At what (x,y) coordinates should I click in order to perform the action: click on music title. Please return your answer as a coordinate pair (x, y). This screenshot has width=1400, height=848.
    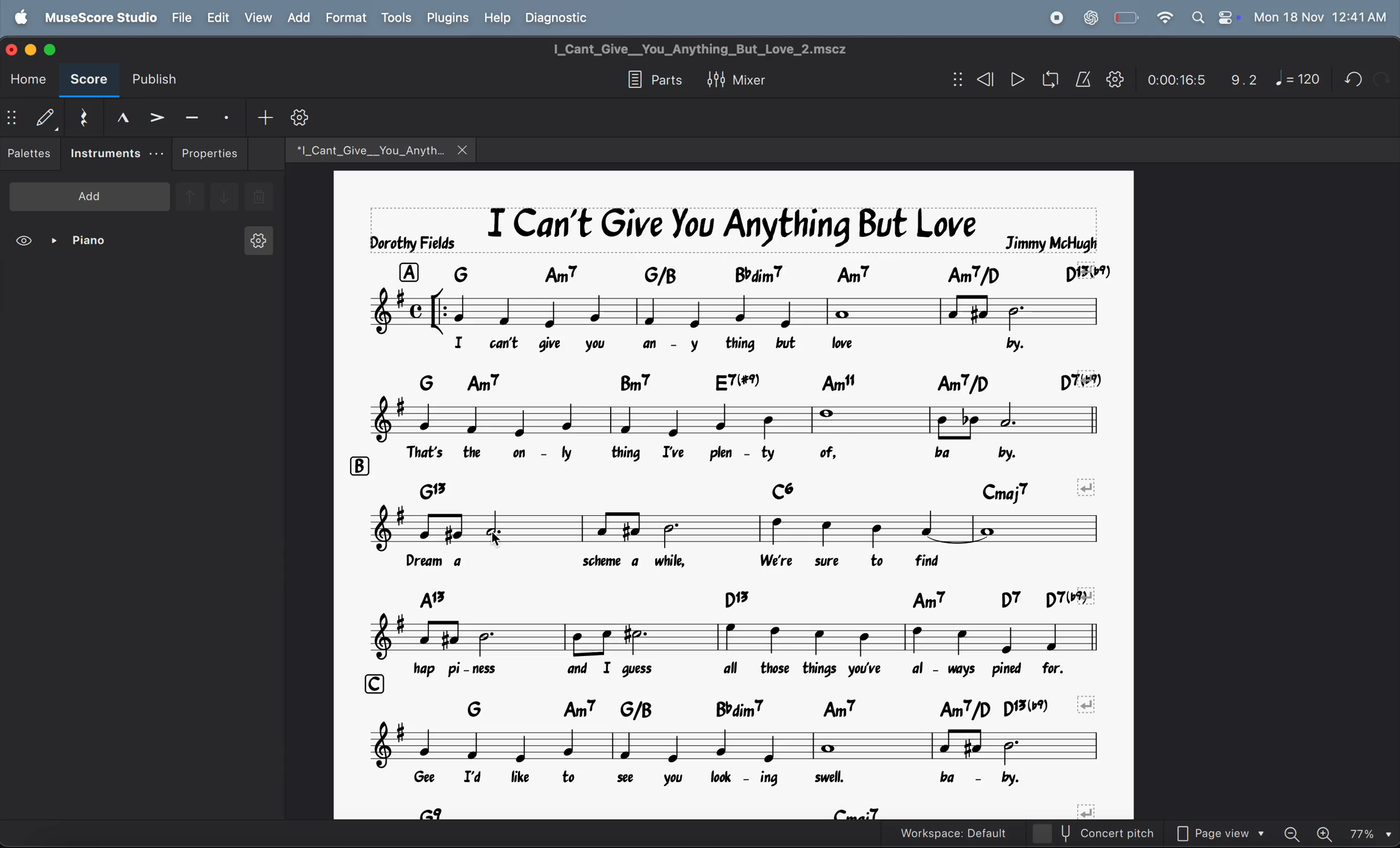
    Looking at the image, I should click on (732, 230).